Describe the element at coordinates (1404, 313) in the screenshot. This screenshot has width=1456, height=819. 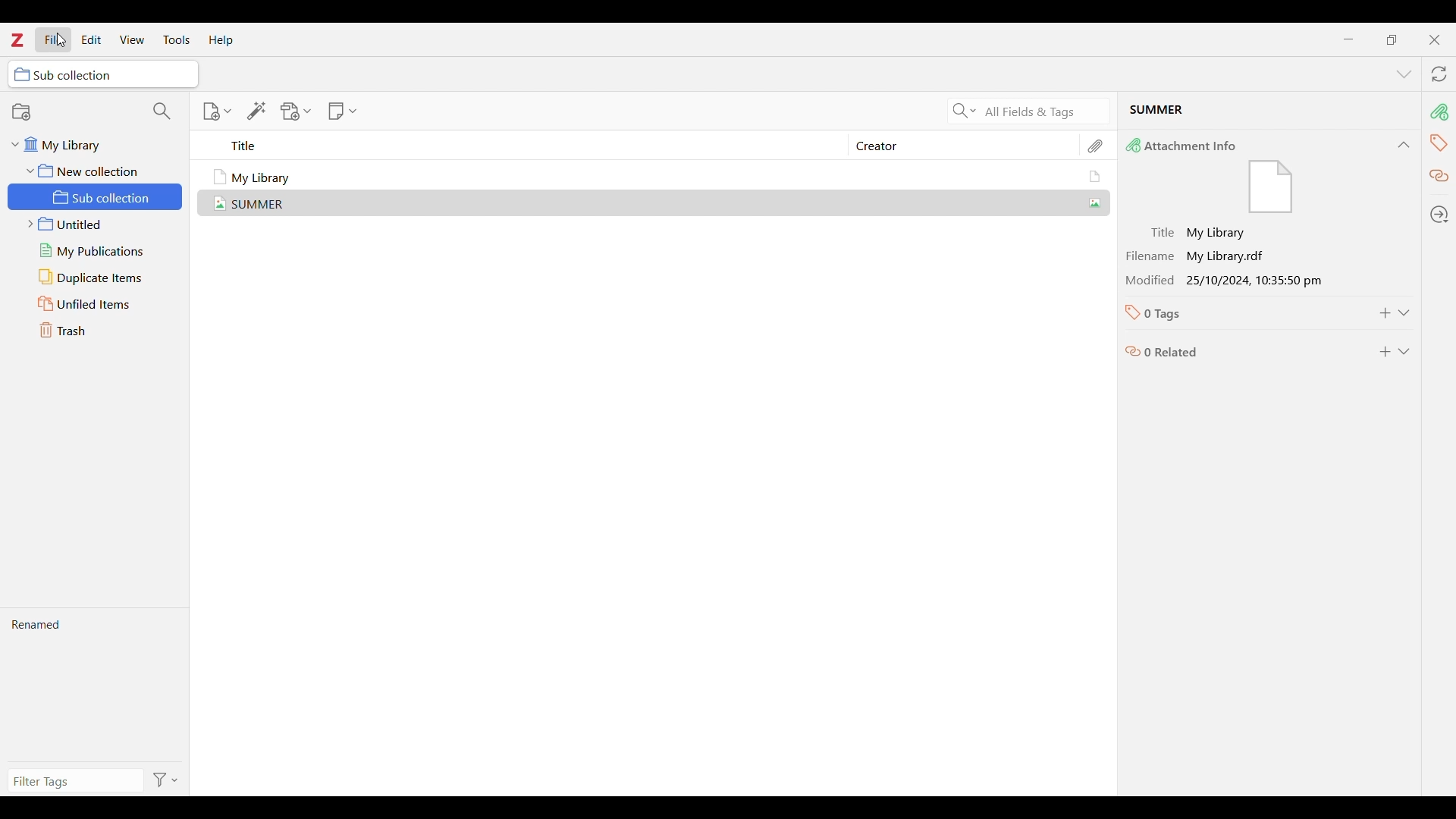
I see `Expand` at that location.